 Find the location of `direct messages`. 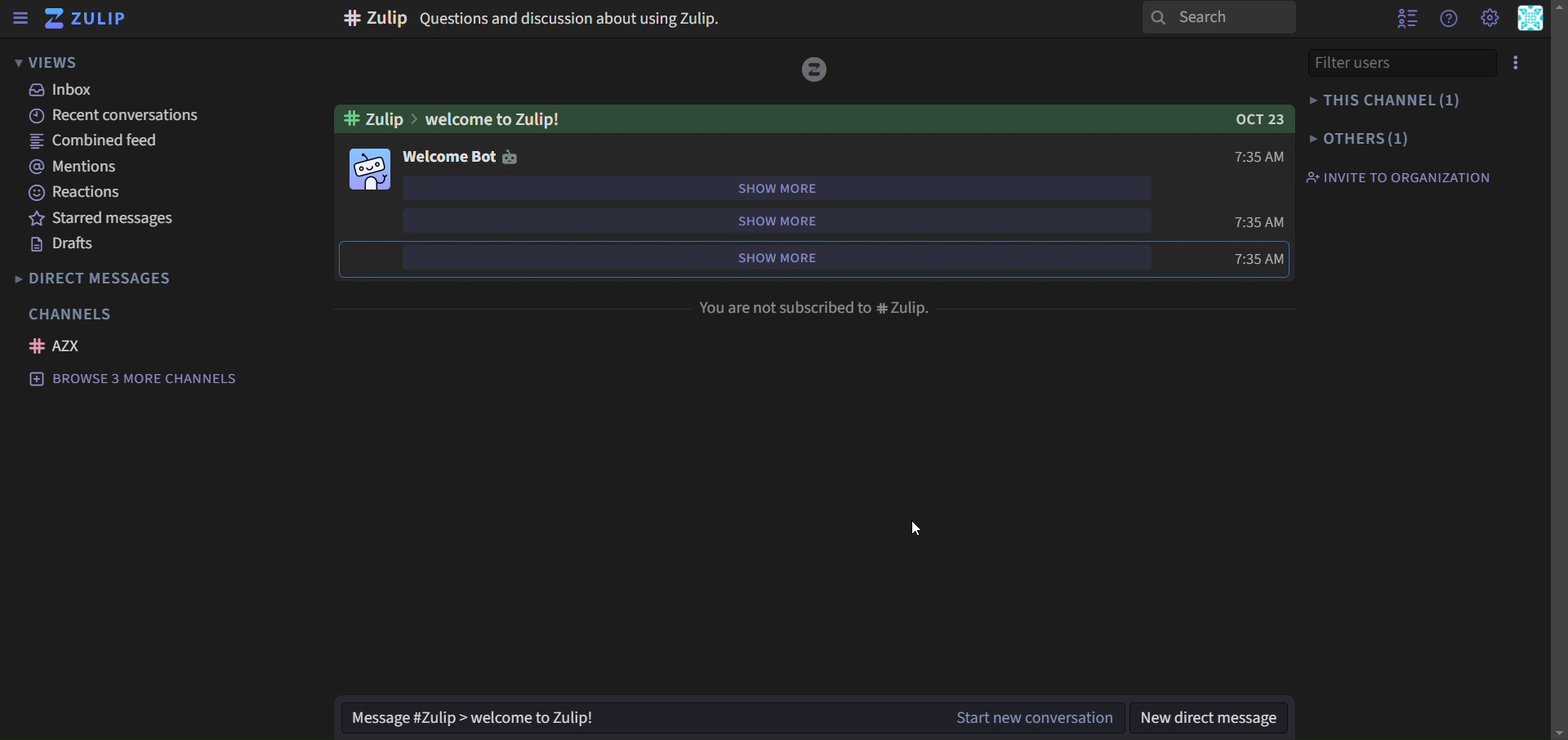

direct messages is located at coordinates (109, 278).